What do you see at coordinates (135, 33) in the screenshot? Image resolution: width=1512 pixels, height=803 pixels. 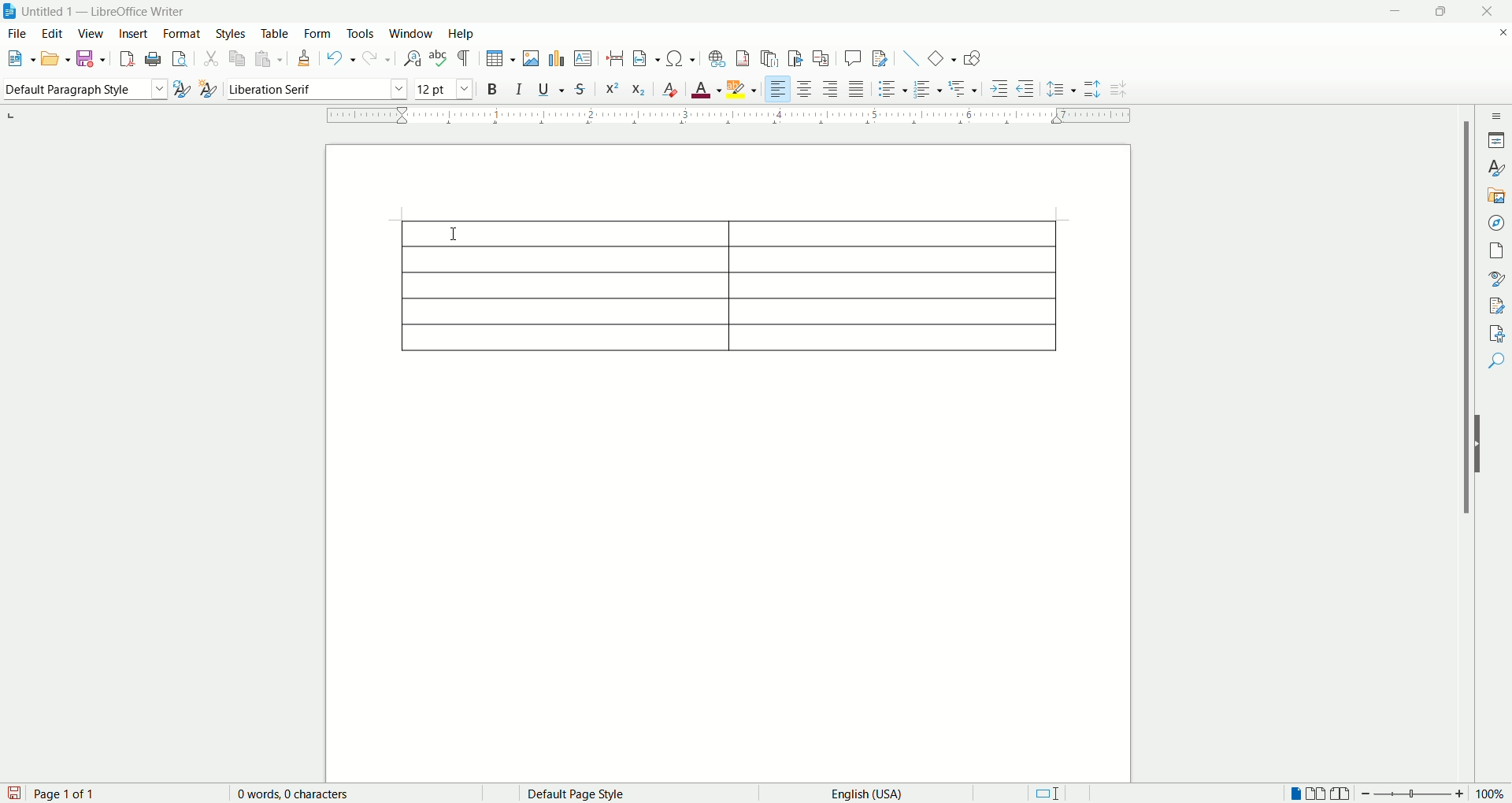 I see `insert` at bounding box center [135, 33].